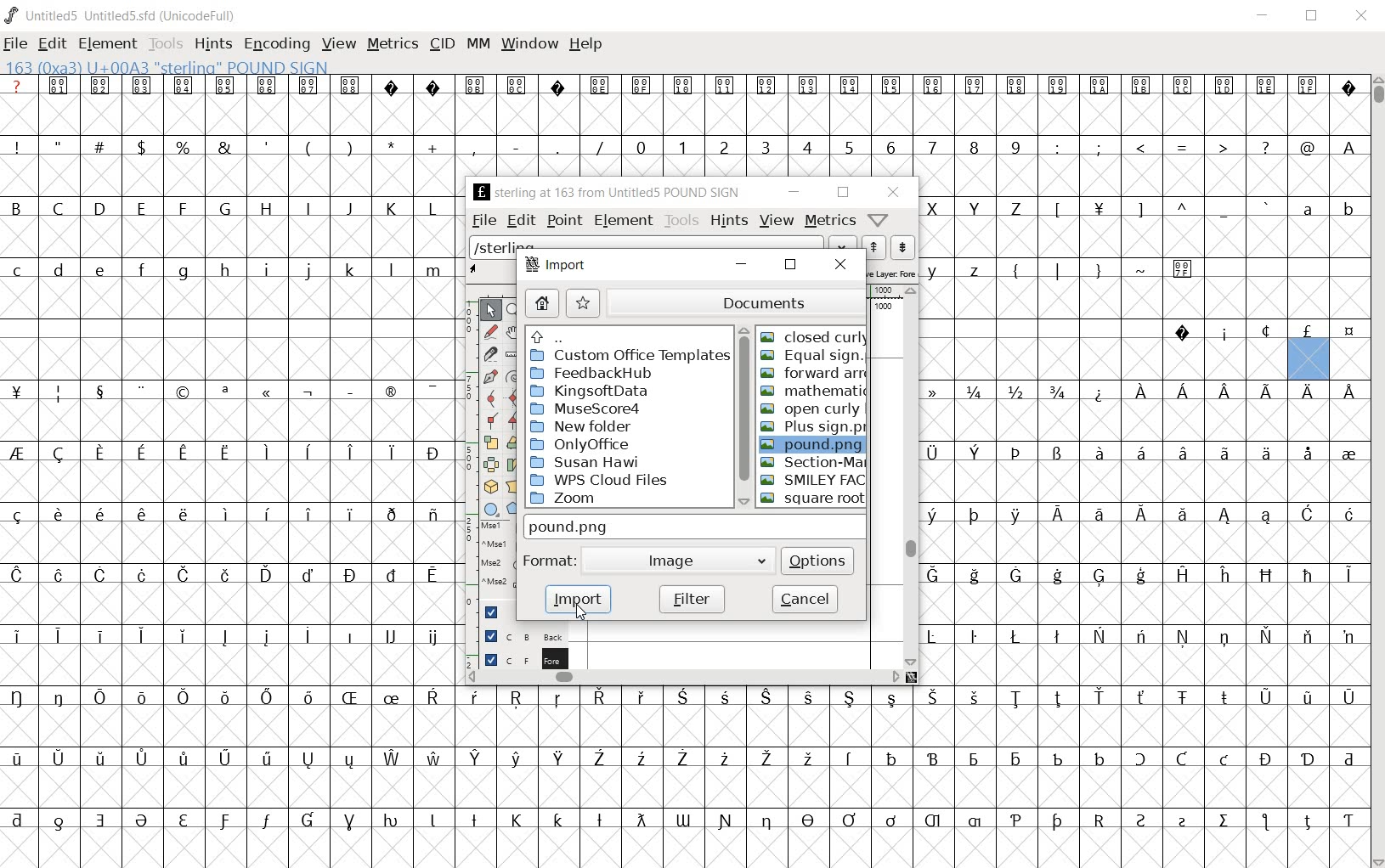 Image resolution: width=1385 pixels, height=868 pixels. What do you see at coordinates (726, 85) in the screenshot?
I see `Symbol` at bounding box center [726, 85].